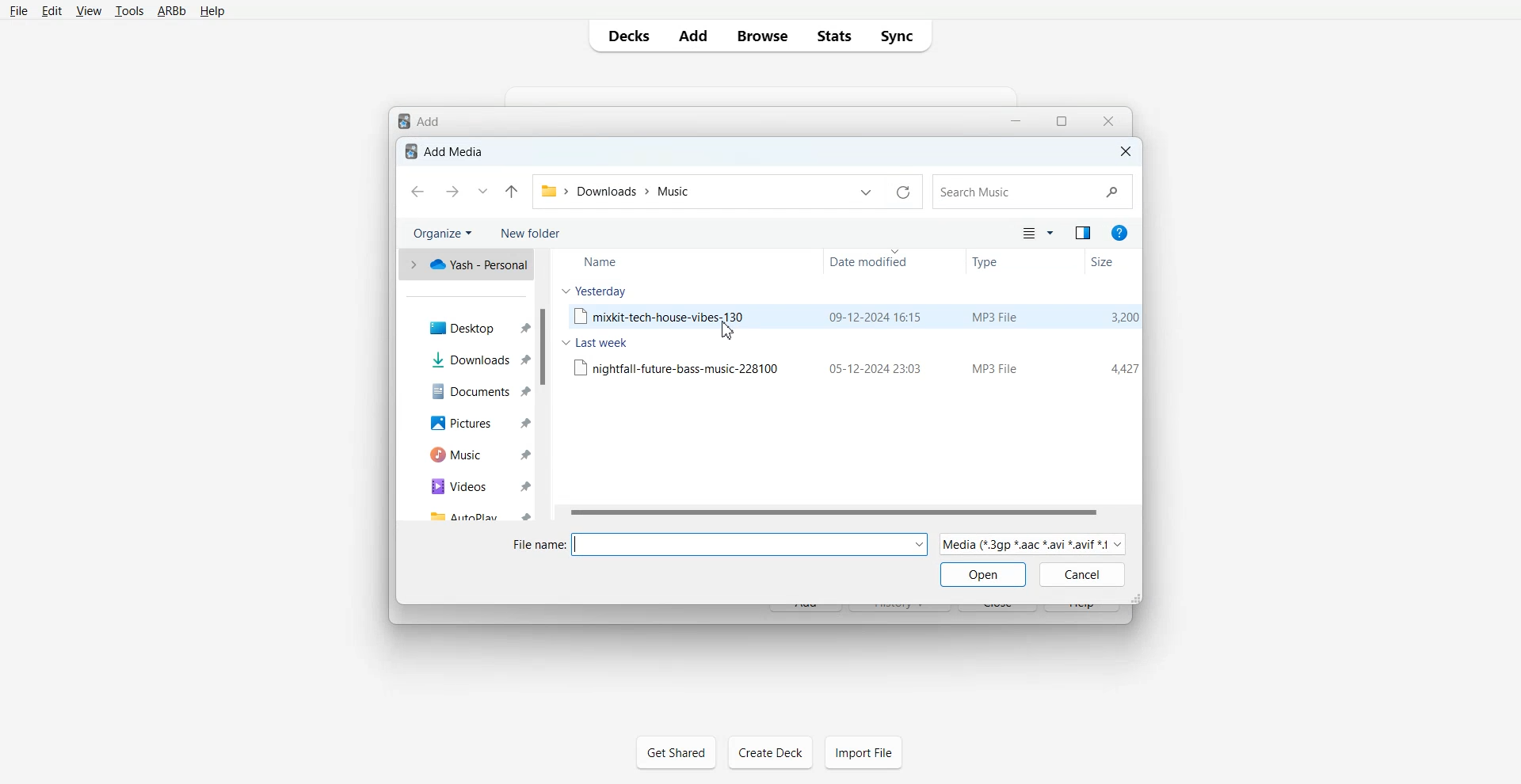  What do you see at coordinates (853, 367) in the screenshot?
I see `File` at bounding box center [853, 367].